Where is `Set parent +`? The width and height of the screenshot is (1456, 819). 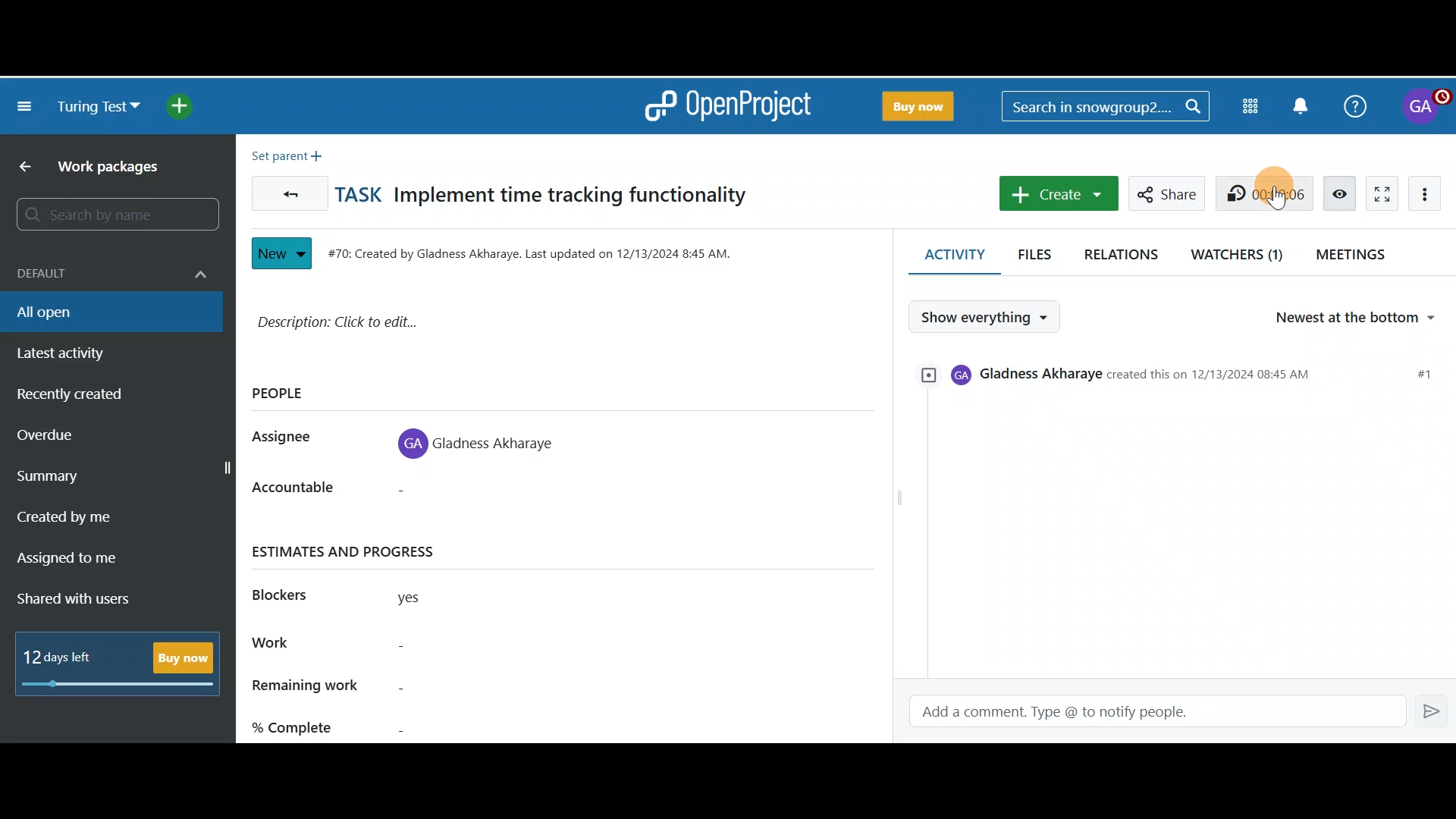 Set parent + is located at coordinates (291, 152).